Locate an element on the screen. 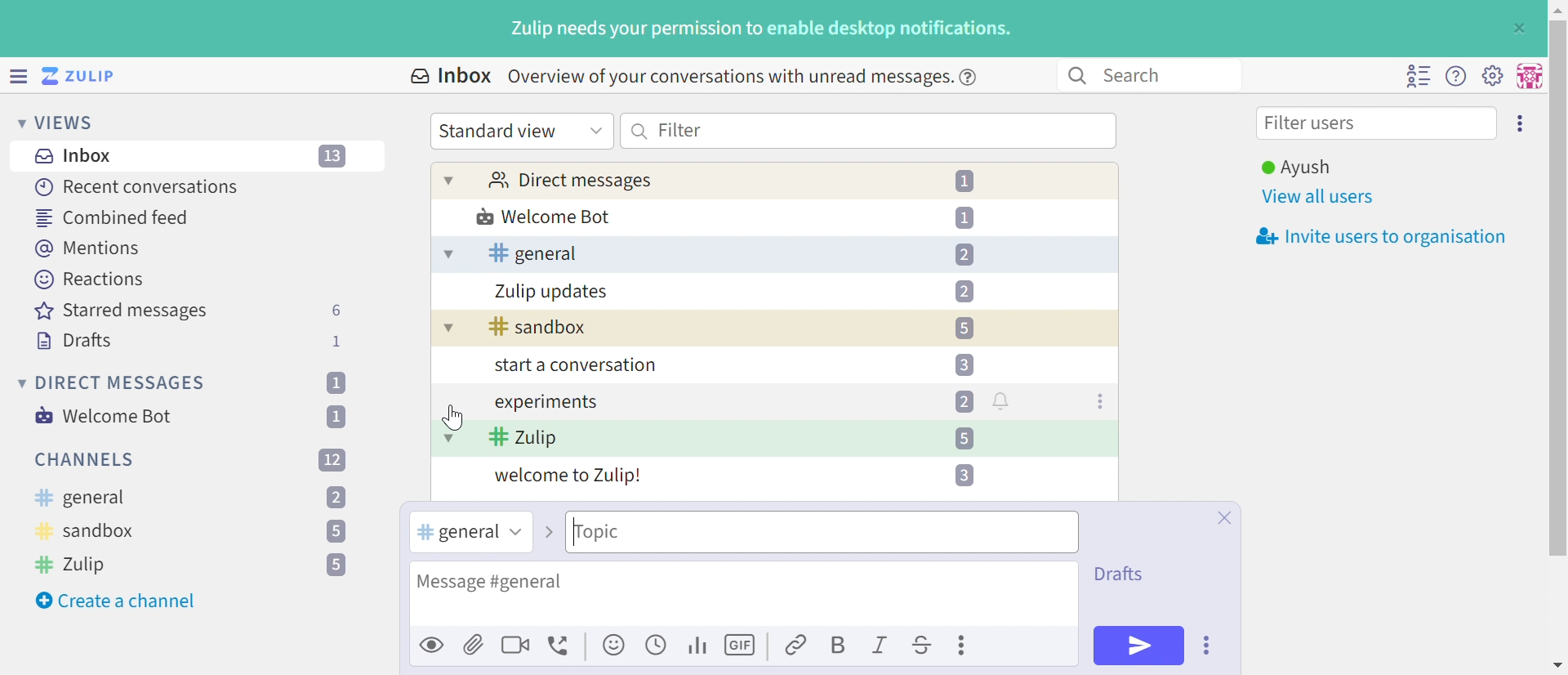 This screenshot has height=675, width=1568. ZULIP is located at coordinates (89, 77).